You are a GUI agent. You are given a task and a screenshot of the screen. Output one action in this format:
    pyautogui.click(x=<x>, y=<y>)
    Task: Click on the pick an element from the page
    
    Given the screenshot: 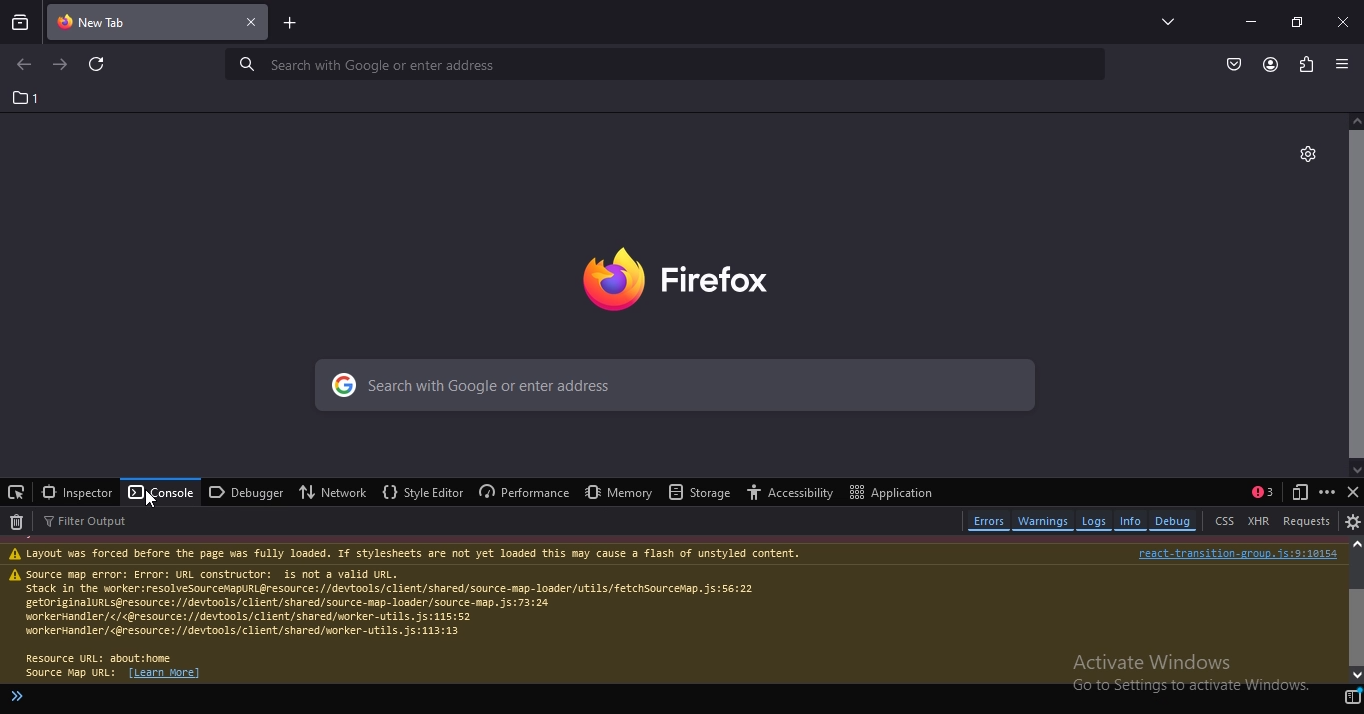 What is the action you would take?
    pyautogui.click(x=16, y=493)
    